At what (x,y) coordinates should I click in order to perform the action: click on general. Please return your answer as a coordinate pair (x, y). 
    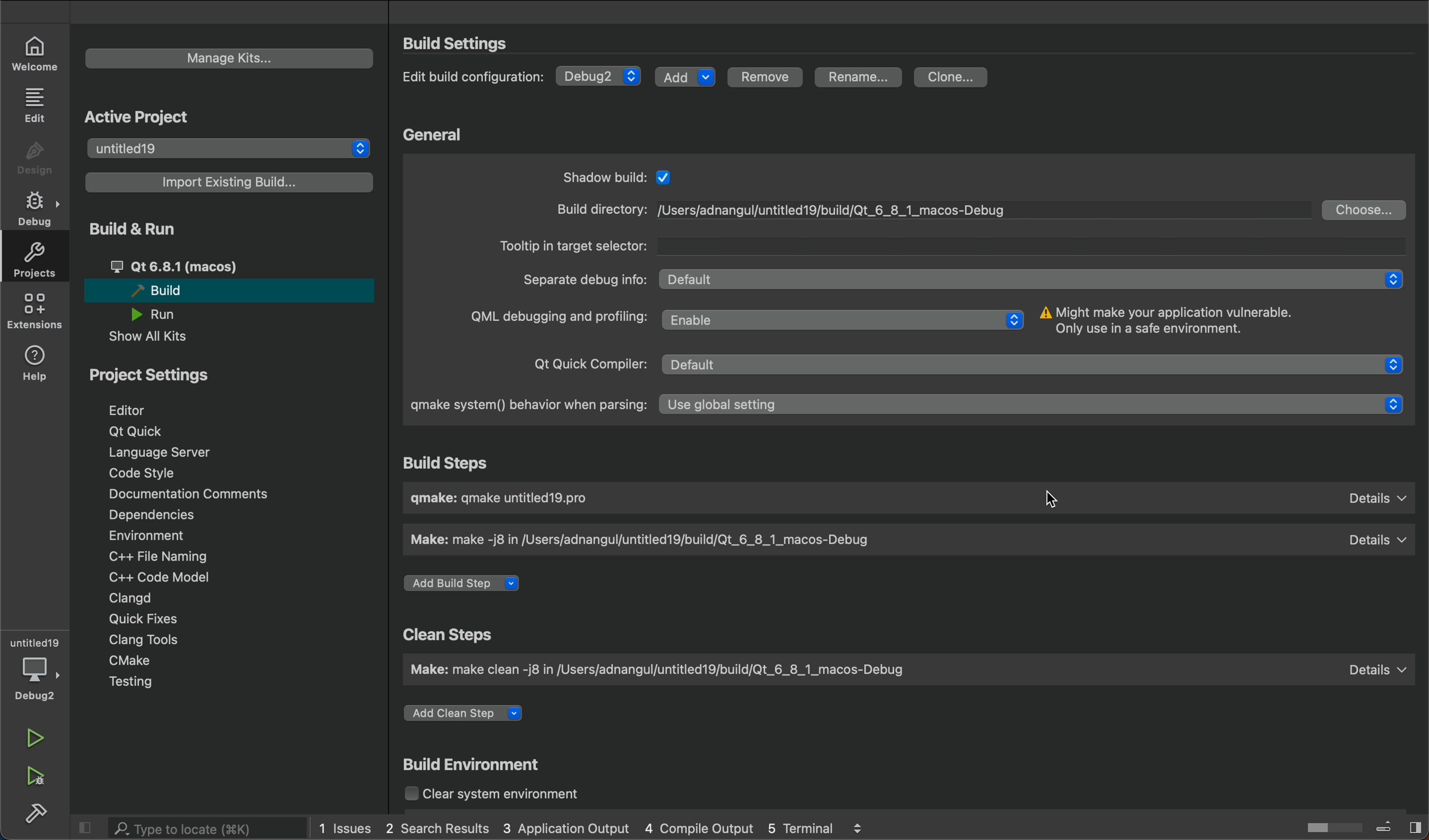
    Looking at the image, I should click on (438, 135).